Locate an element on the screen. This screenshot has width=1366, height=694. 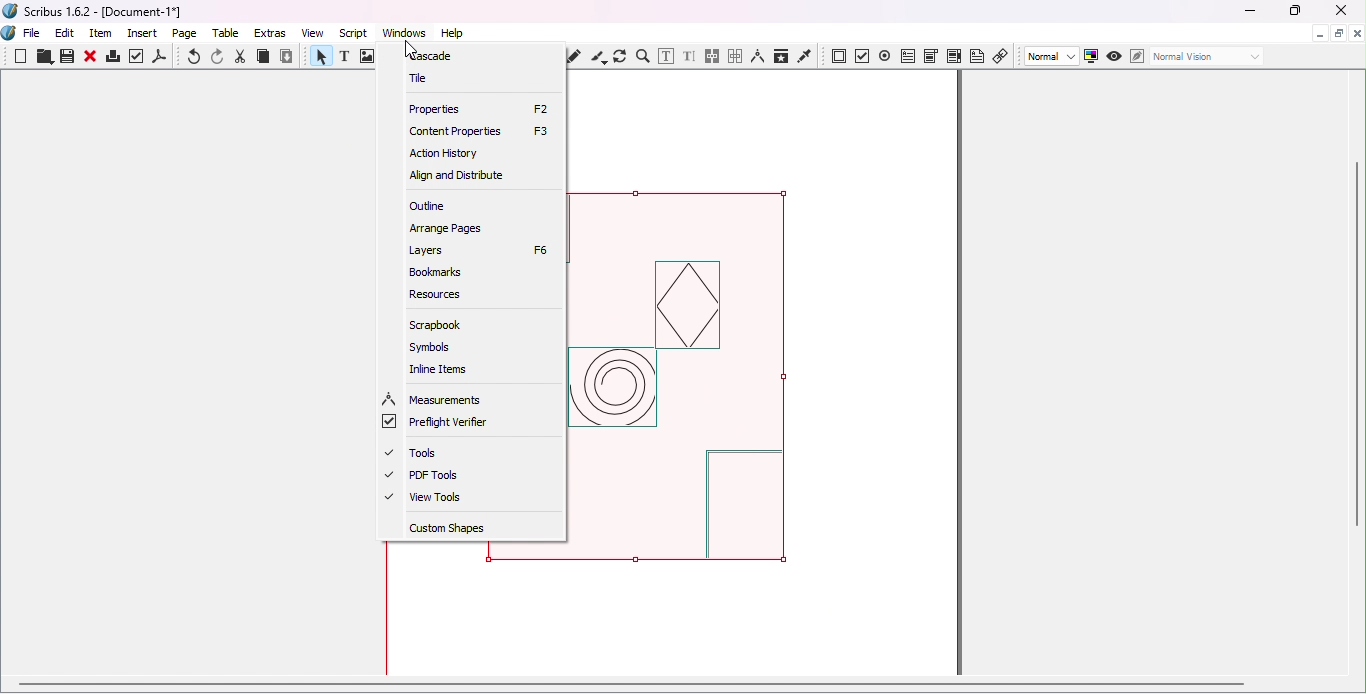
Outline is located at coordinates (428, 205).